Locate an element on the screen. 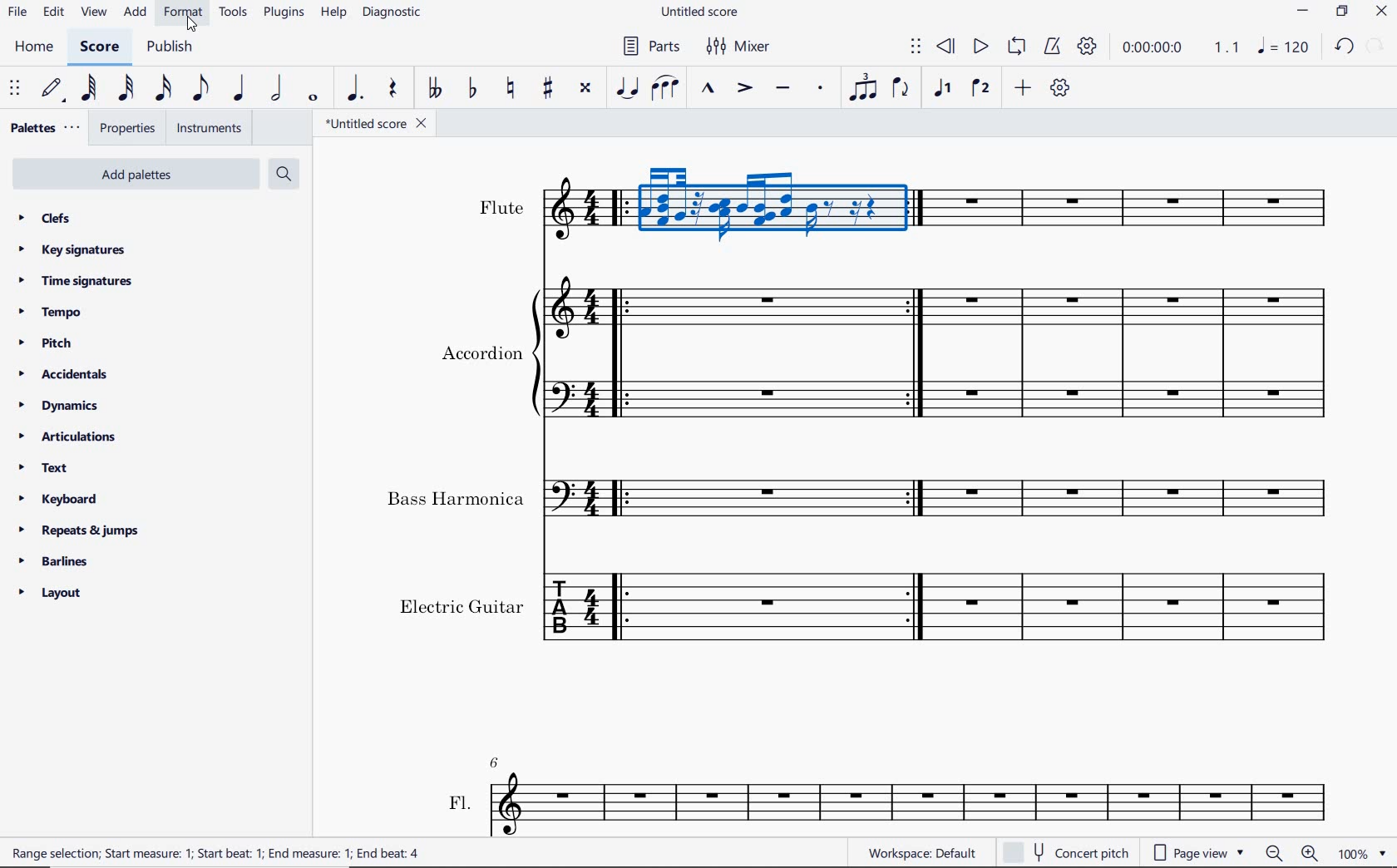 The image size is (1397, 868). ZOOM OUT OR ZOOM IN is located at coordinates (1291, 854).